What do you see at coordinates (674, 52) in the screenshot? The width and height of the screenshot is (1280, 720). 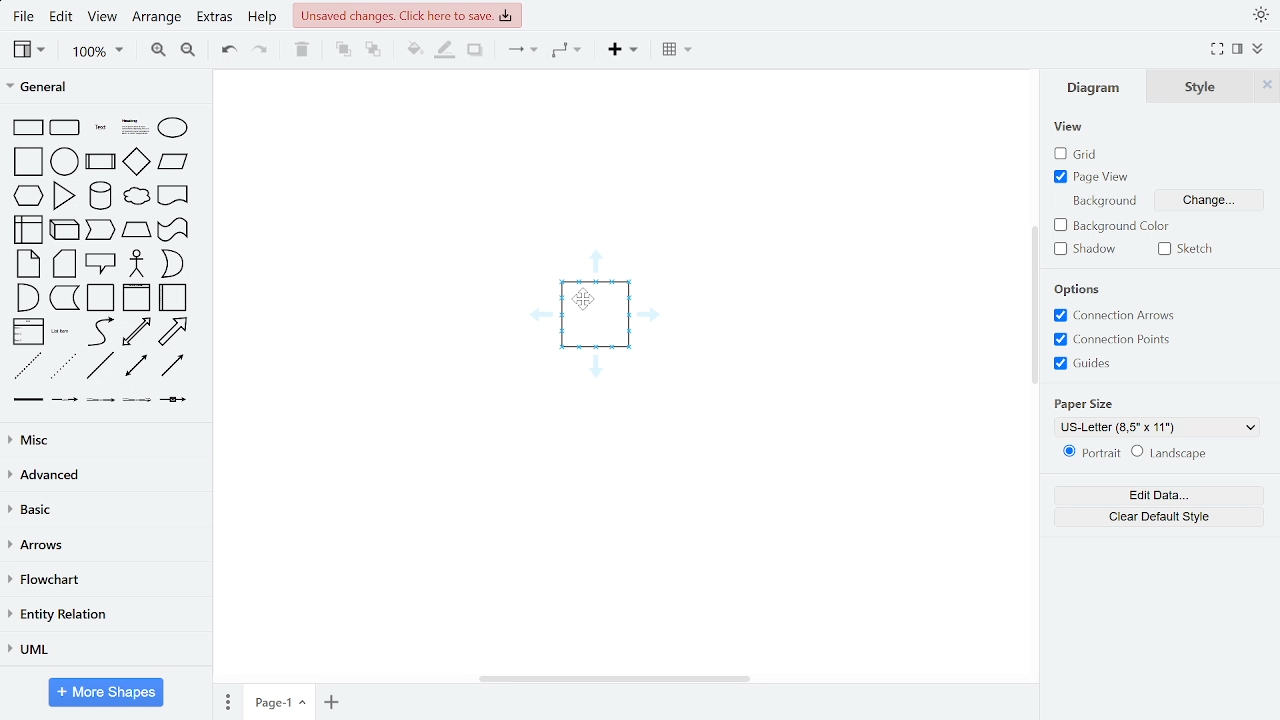 I see `table` at bounding box center [674, 52].